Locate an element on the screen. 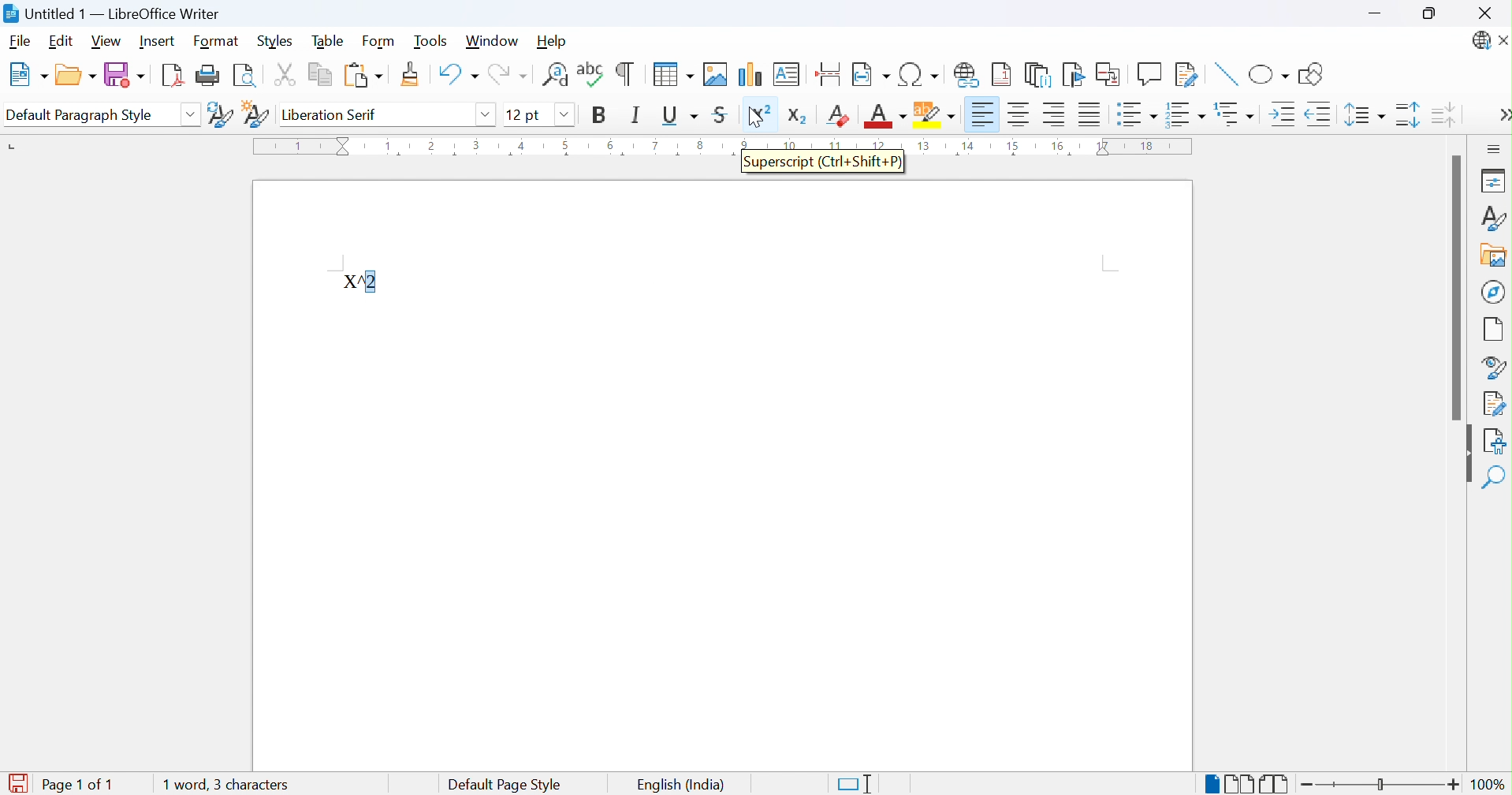 This screenshot has height=795, width=1512. Insert page field is located at coordinates (870, 74).